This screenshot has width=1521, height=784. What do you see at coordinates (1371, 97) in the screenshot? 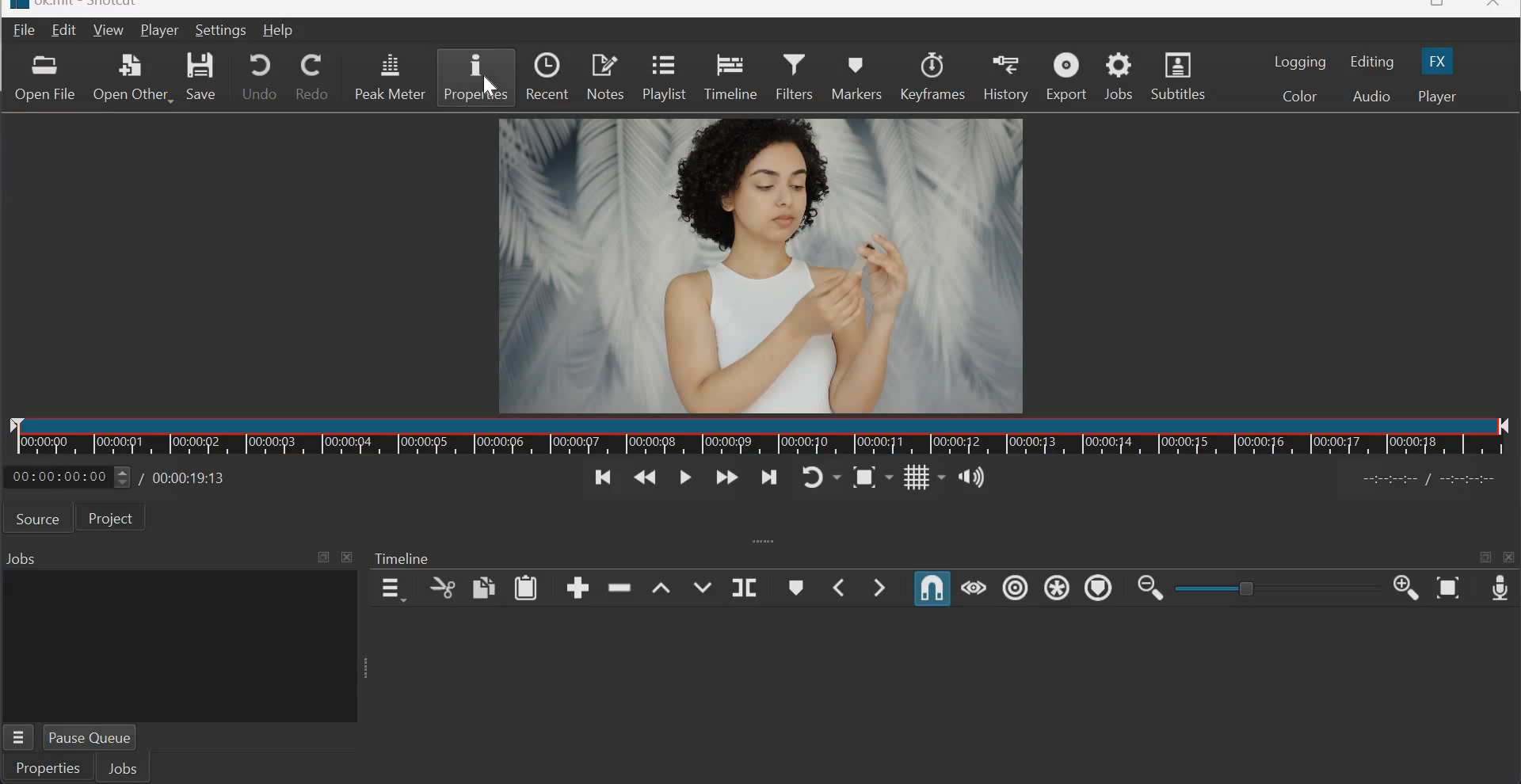
I see `Audio` at bounding box center [1371, 97].